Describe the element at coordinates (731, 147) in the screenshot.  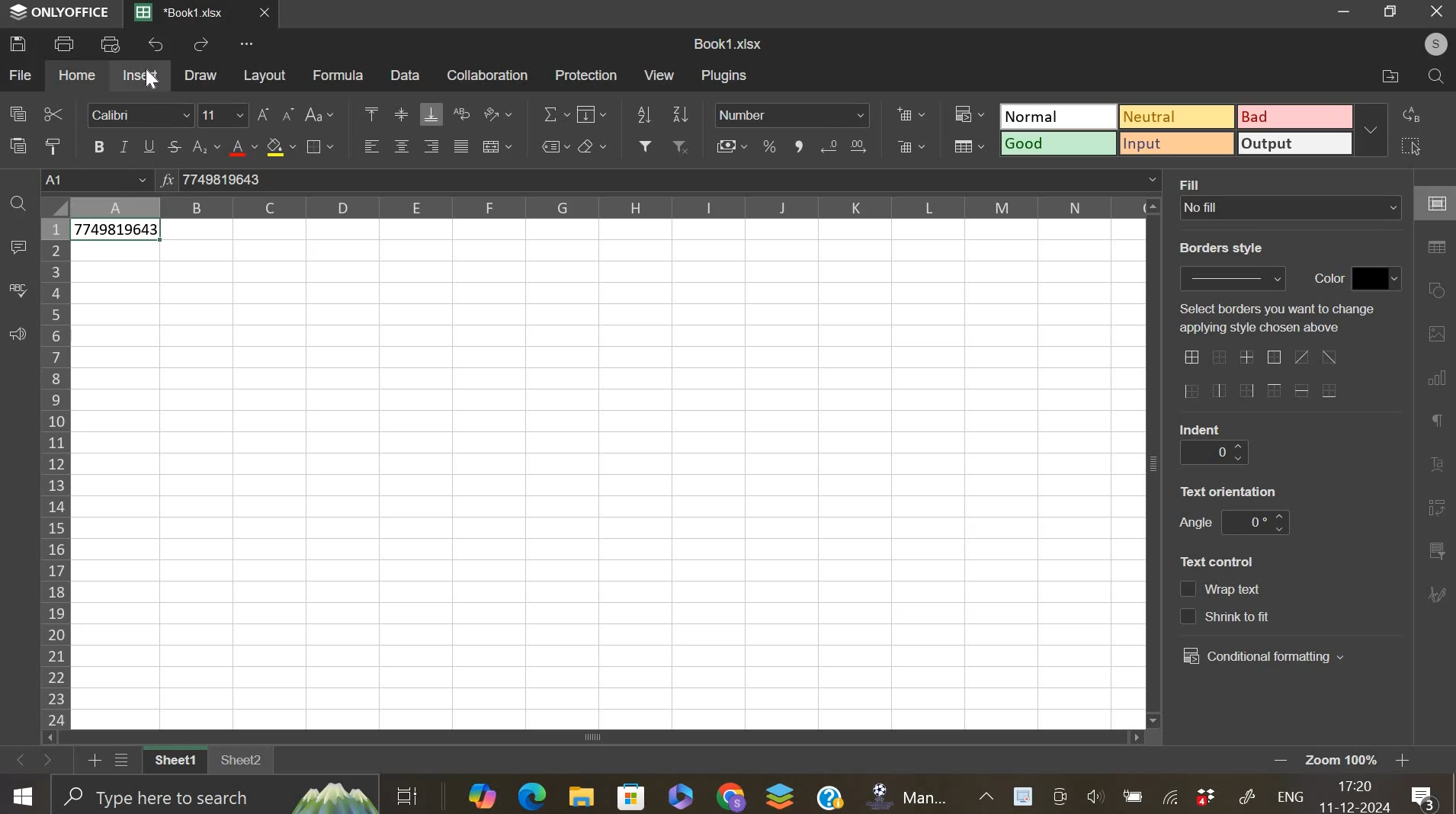
I see `accounting style` at that location.